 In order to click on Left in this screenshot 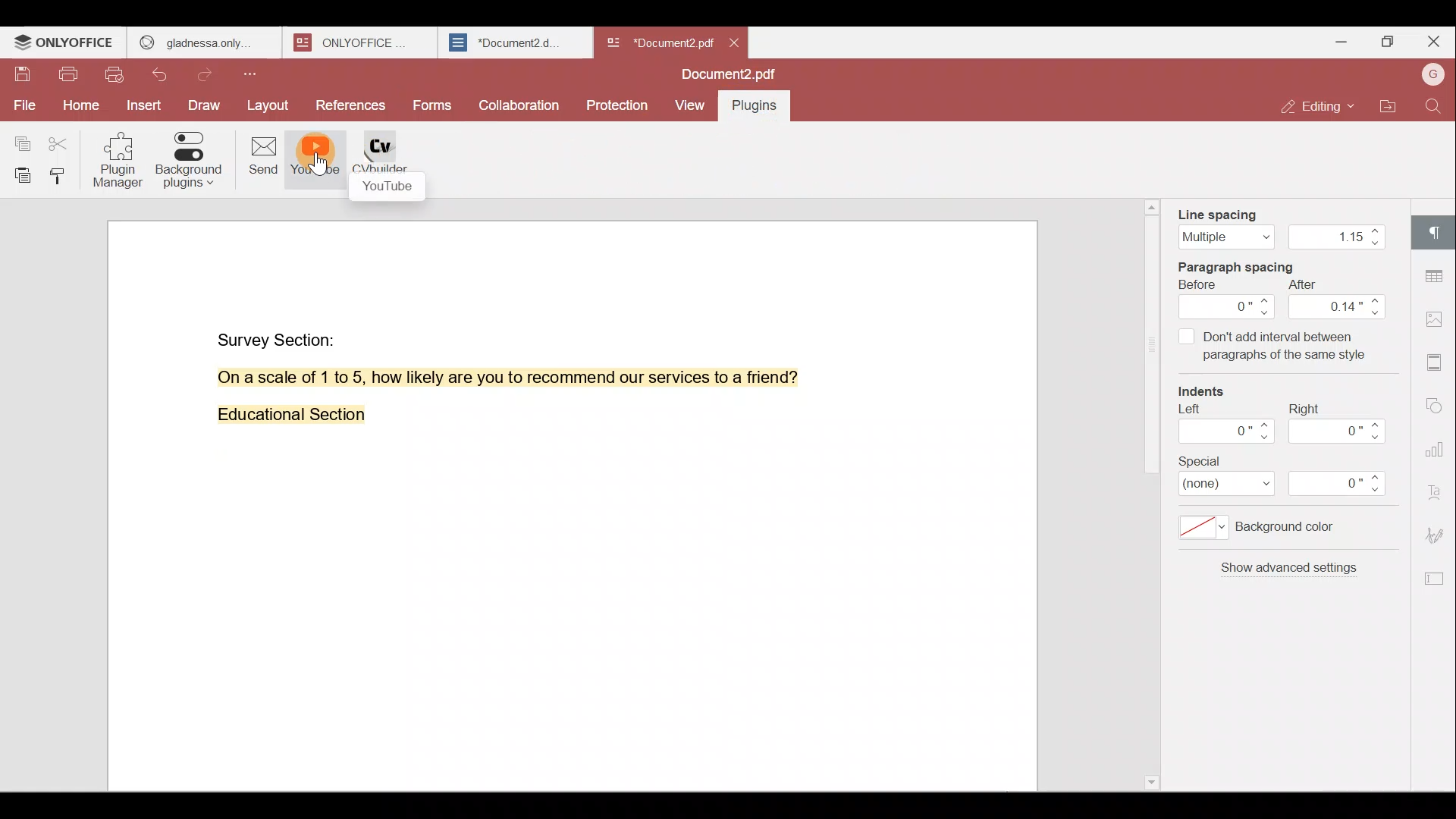, I will do `click(1223, 428)`.